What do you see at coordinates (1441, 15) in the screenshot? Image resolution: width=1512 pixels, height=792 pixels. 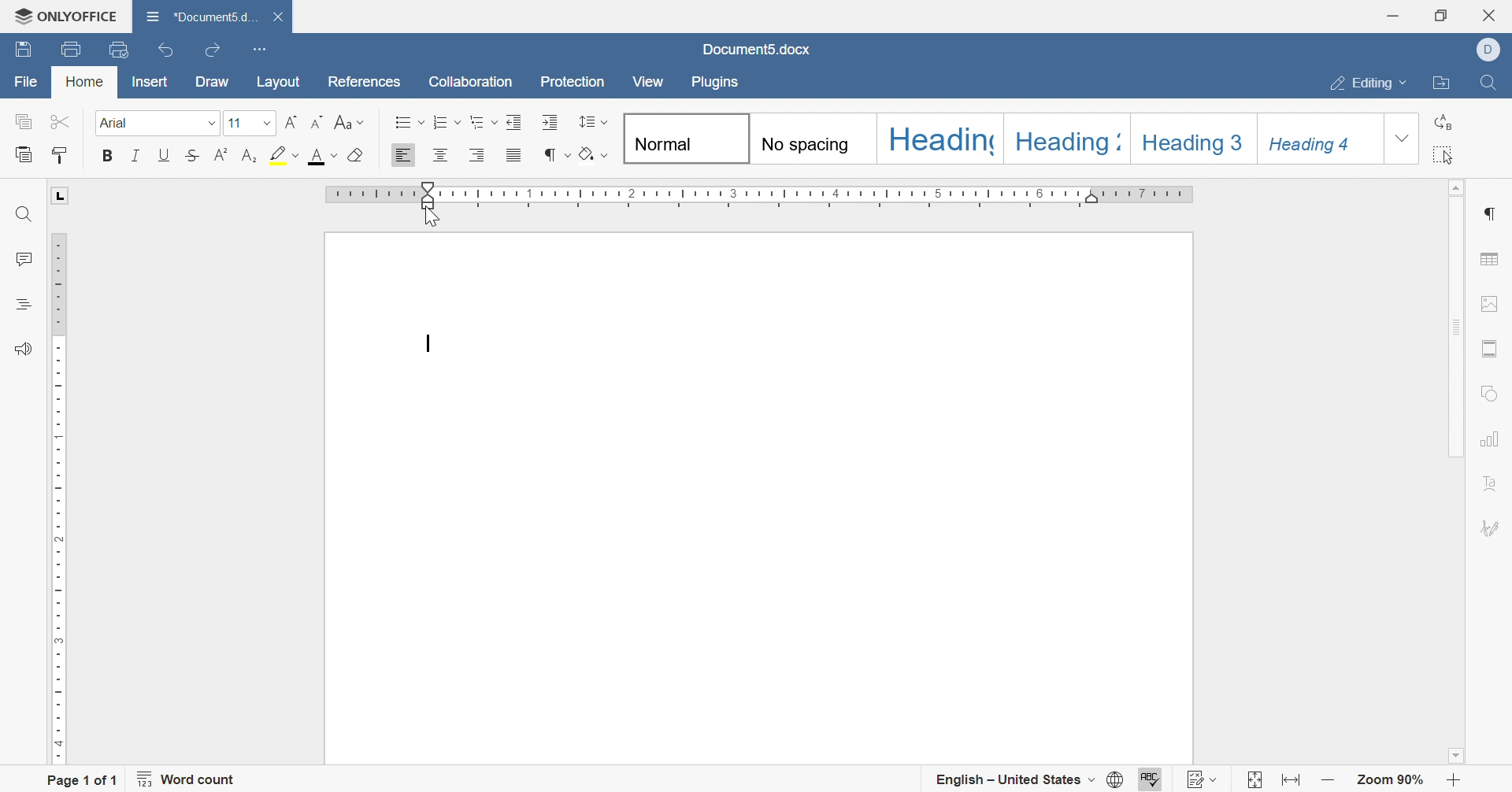 I see `restore down` at bounding box center [1441, 15].